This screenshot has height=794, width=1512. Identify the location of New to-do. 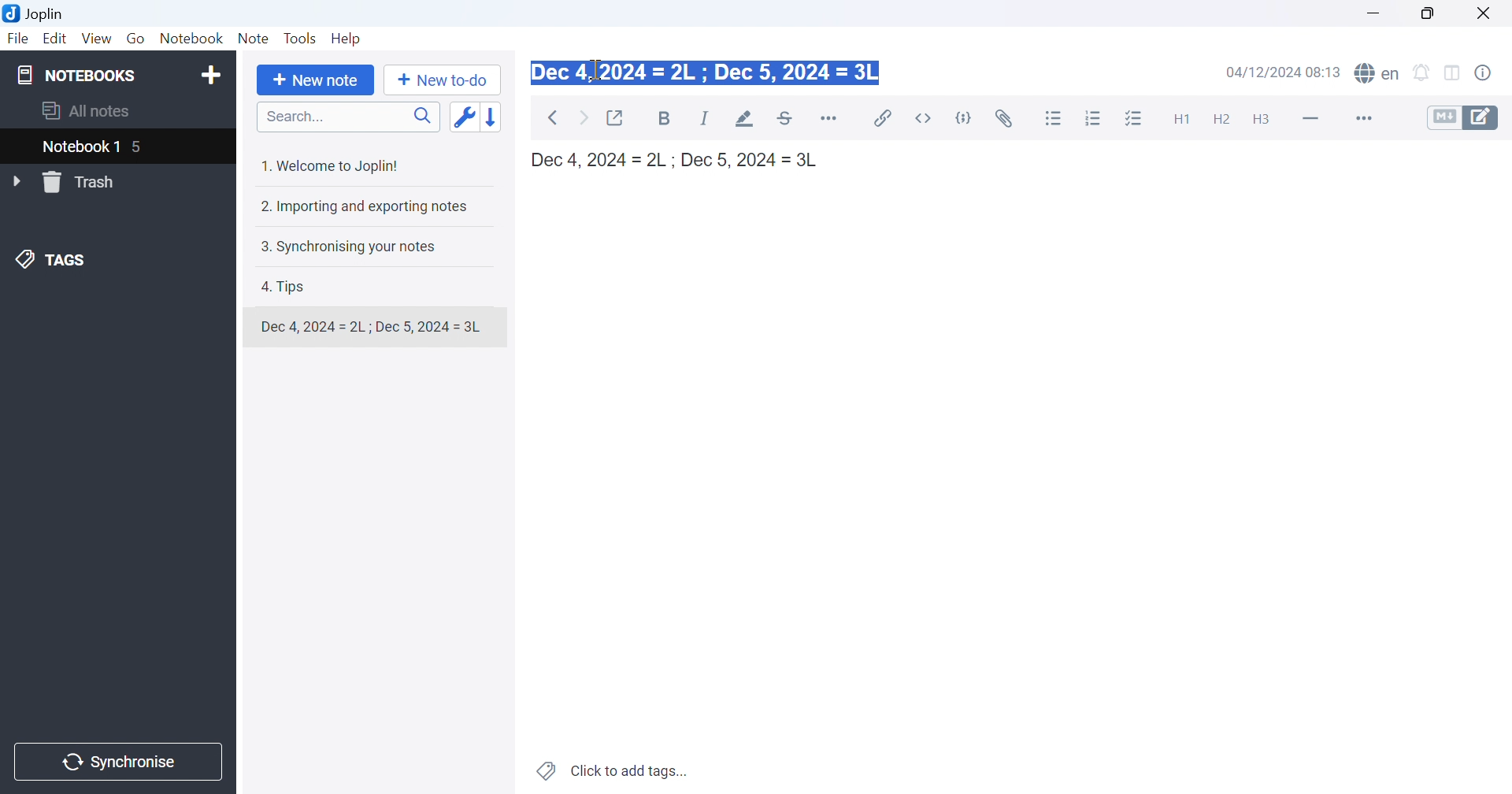
(442, 82).